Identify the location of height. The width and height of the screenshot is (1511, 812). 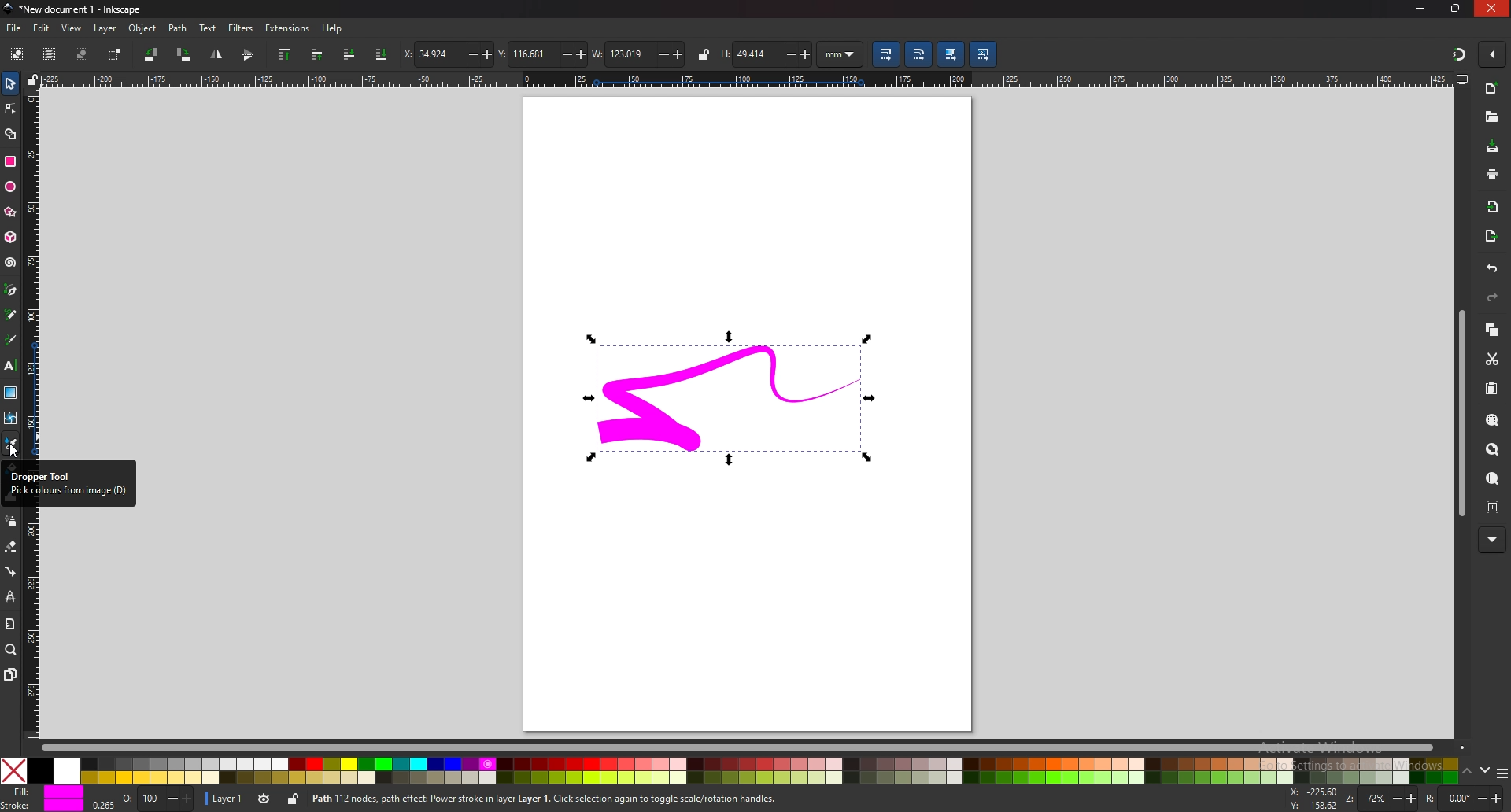
(766, 54).